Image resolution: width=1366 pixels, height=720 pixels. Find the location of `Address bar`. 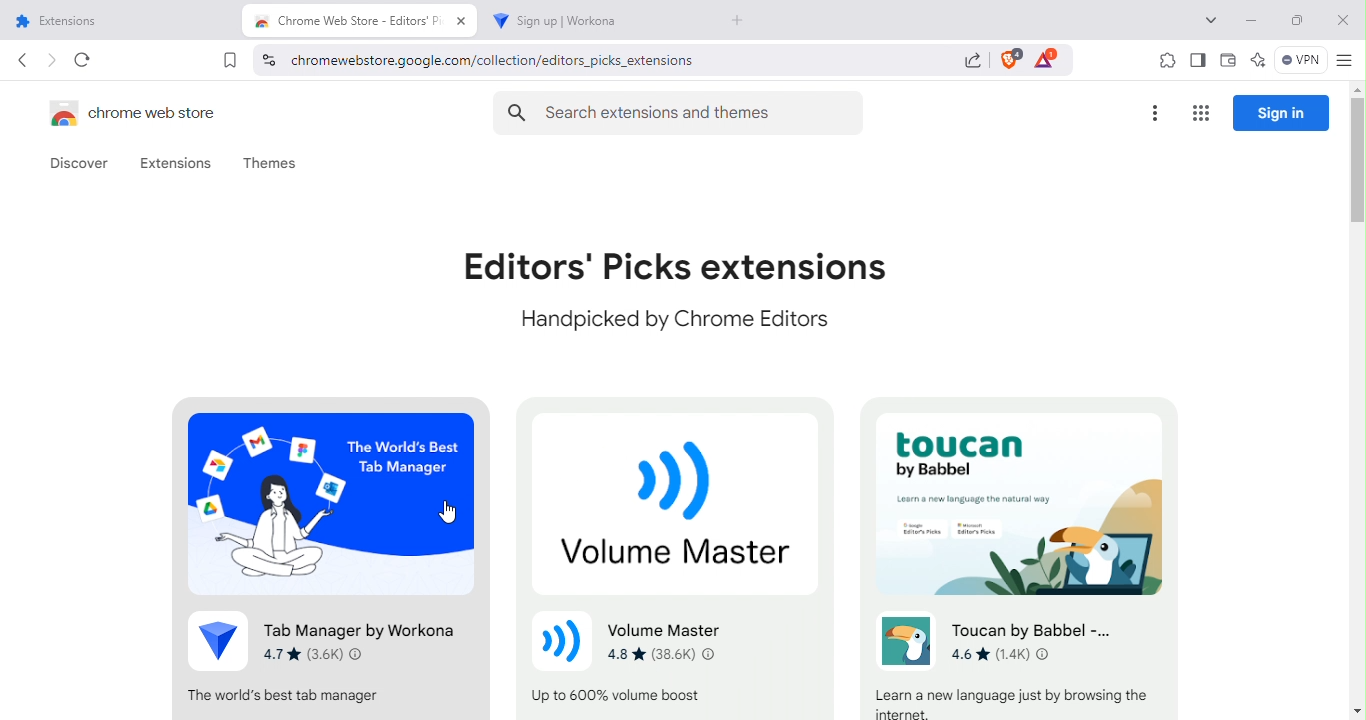

Address bar is located at coordinates (567, 60).